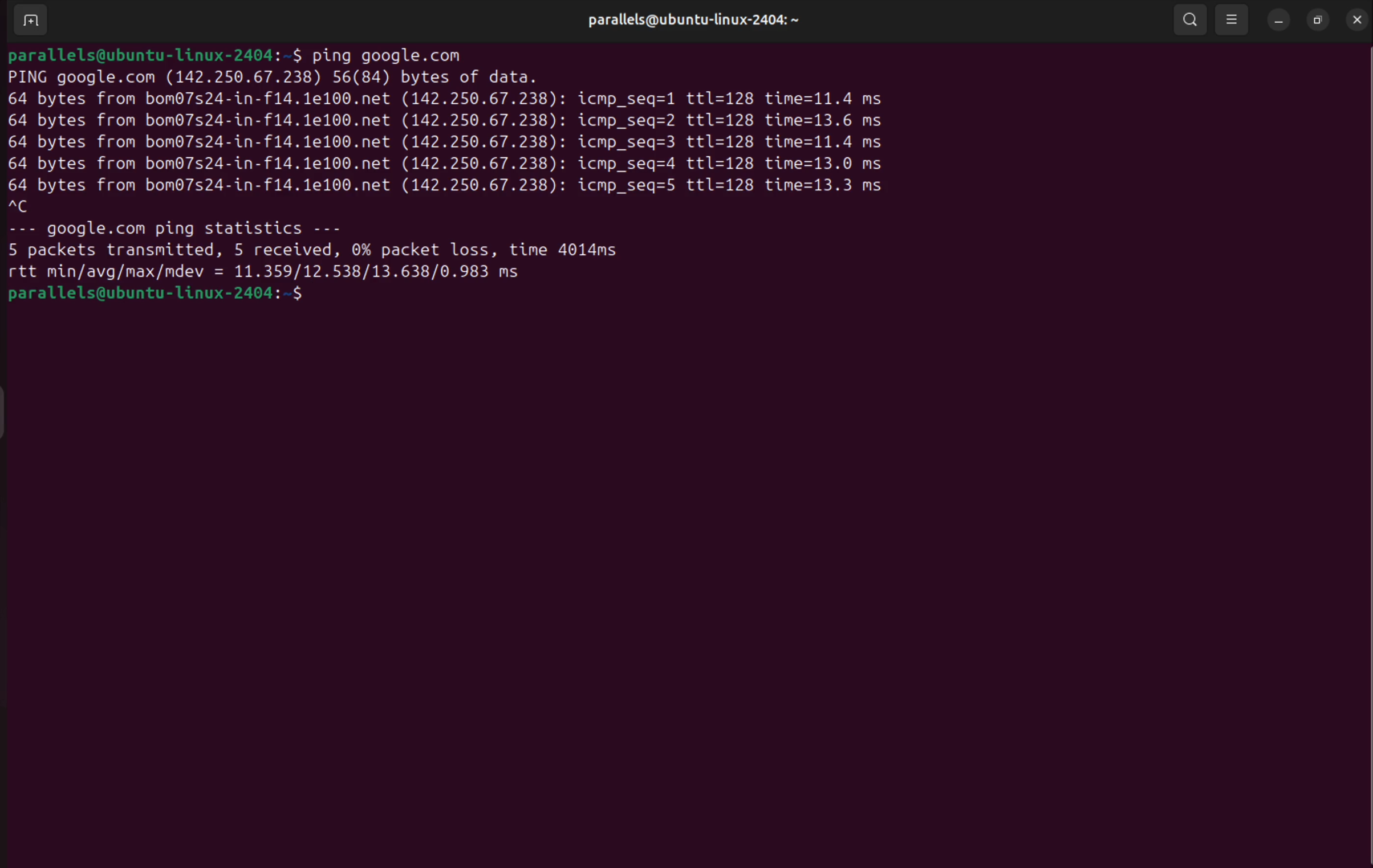  I want to click on bash prompt, so click(155, 297).